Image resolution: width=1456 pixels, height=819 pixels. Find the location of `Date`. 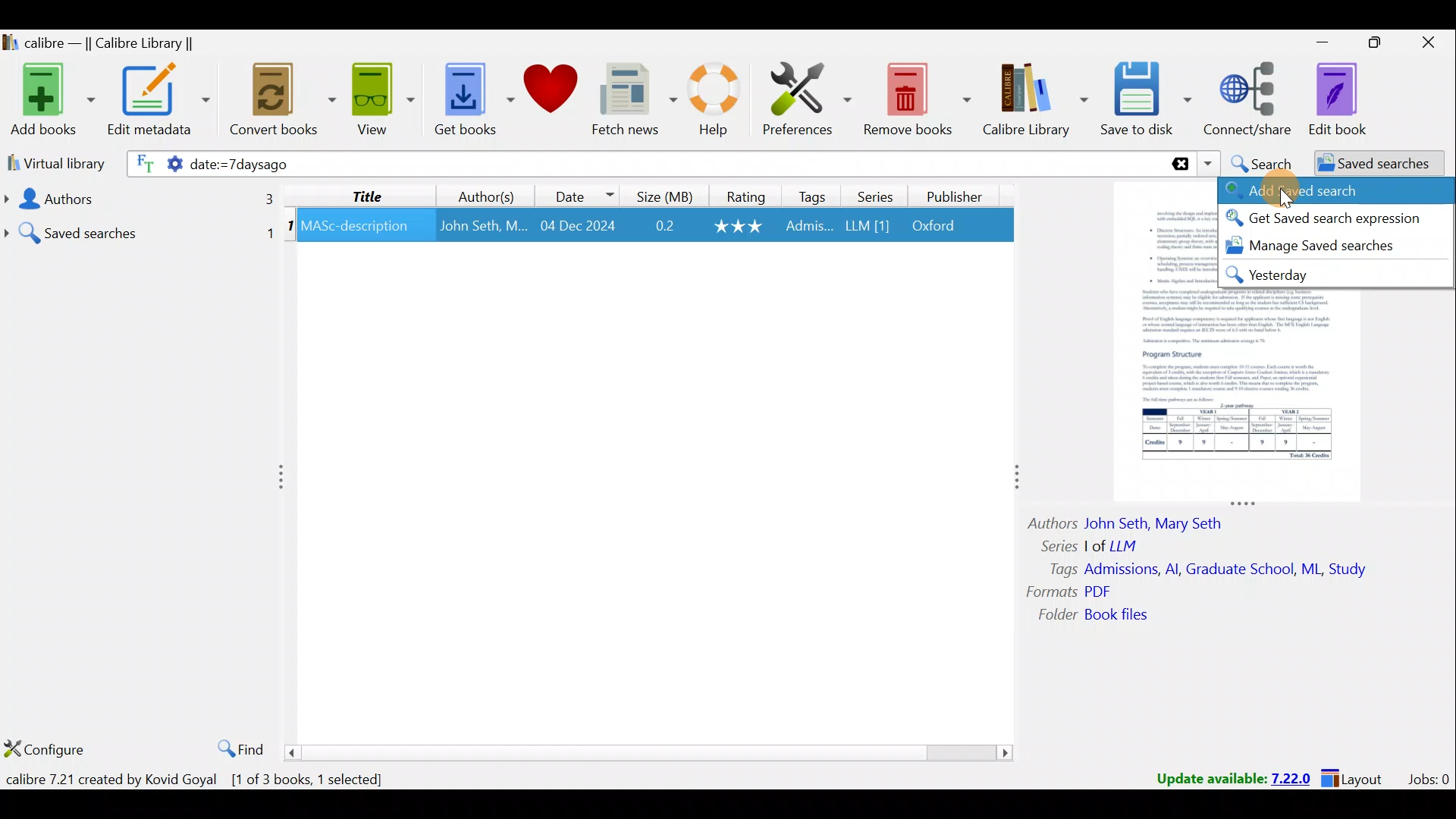

Date is located at coordinates (583, 193).